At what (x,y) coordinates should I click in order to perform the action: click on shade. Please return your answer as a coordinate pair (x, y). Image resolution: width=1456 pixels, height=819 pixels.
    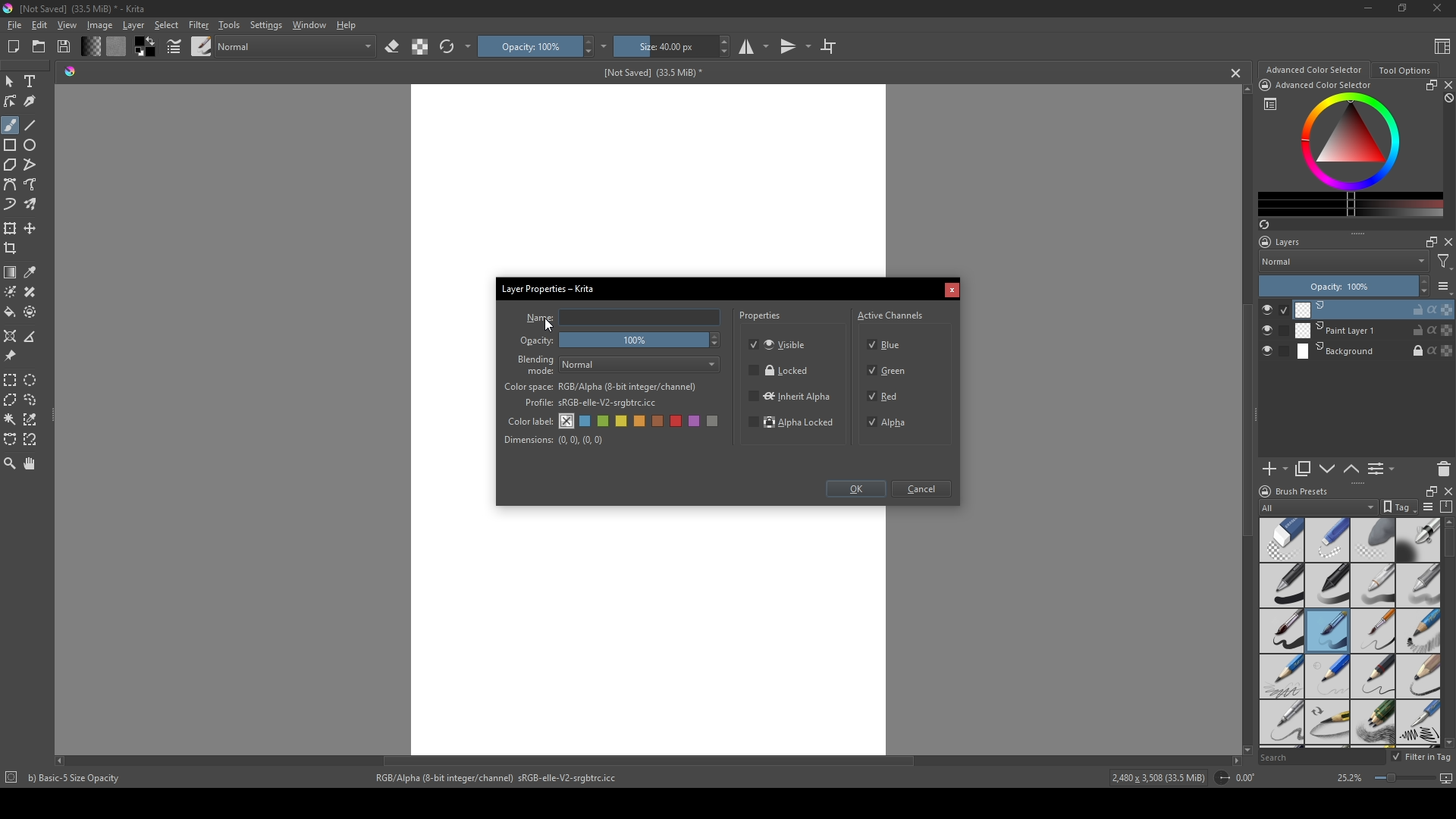
    Looking at the image, I should click on (70, 71).